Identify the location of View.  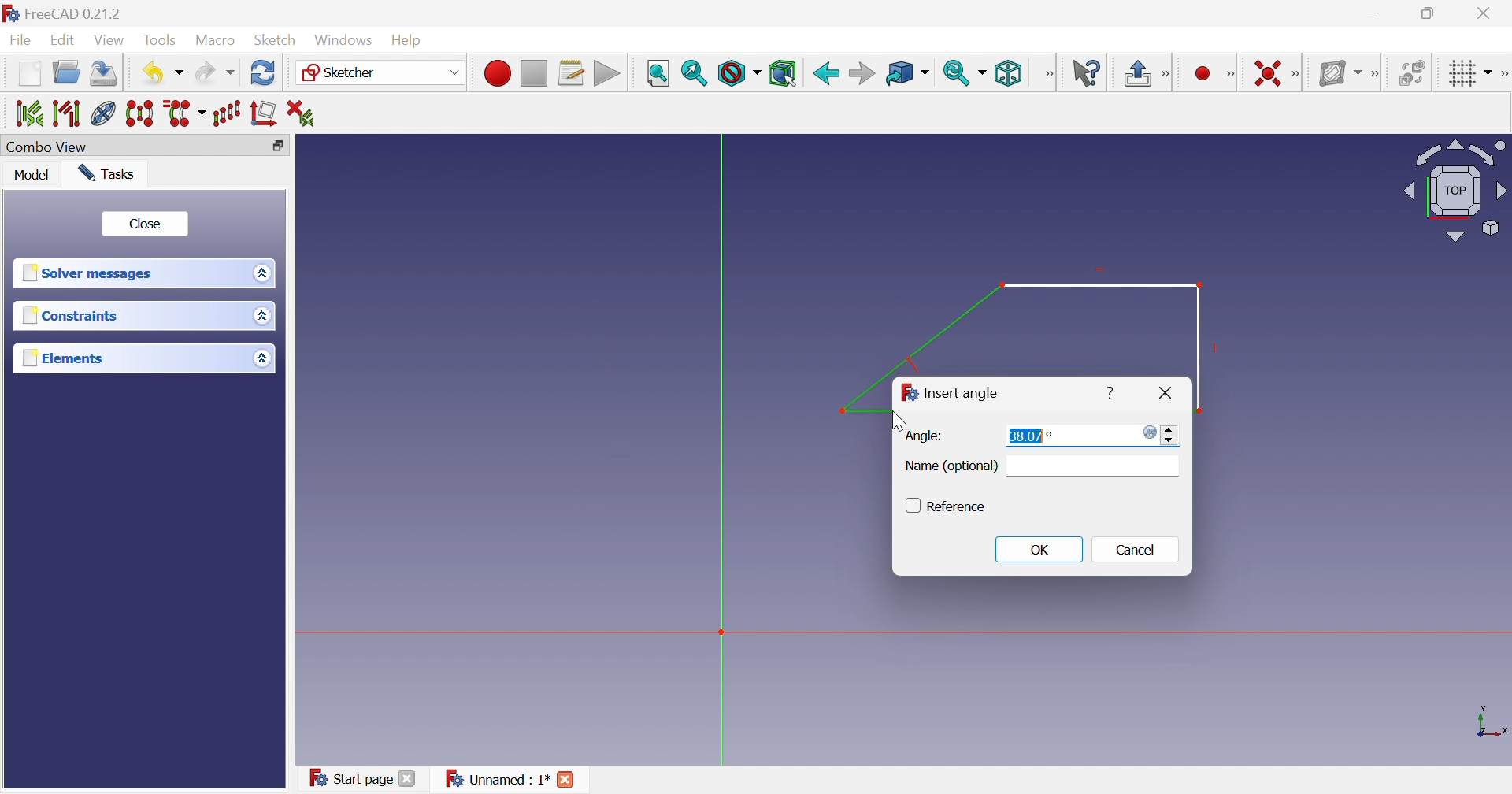
(110, 40).